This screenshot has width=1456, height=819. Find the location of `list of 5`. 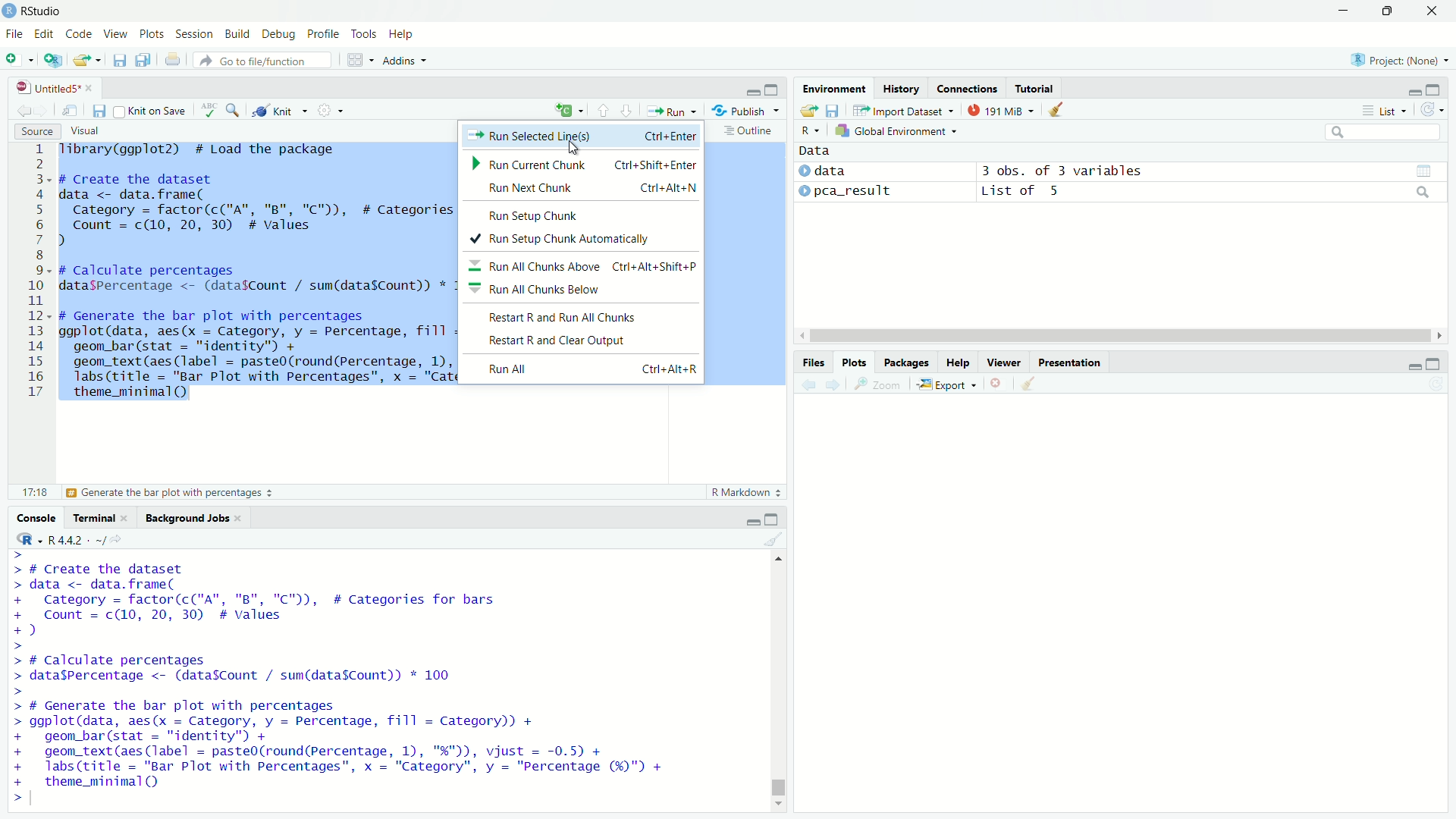

list of 5 is located at coordinates (1209, 191).